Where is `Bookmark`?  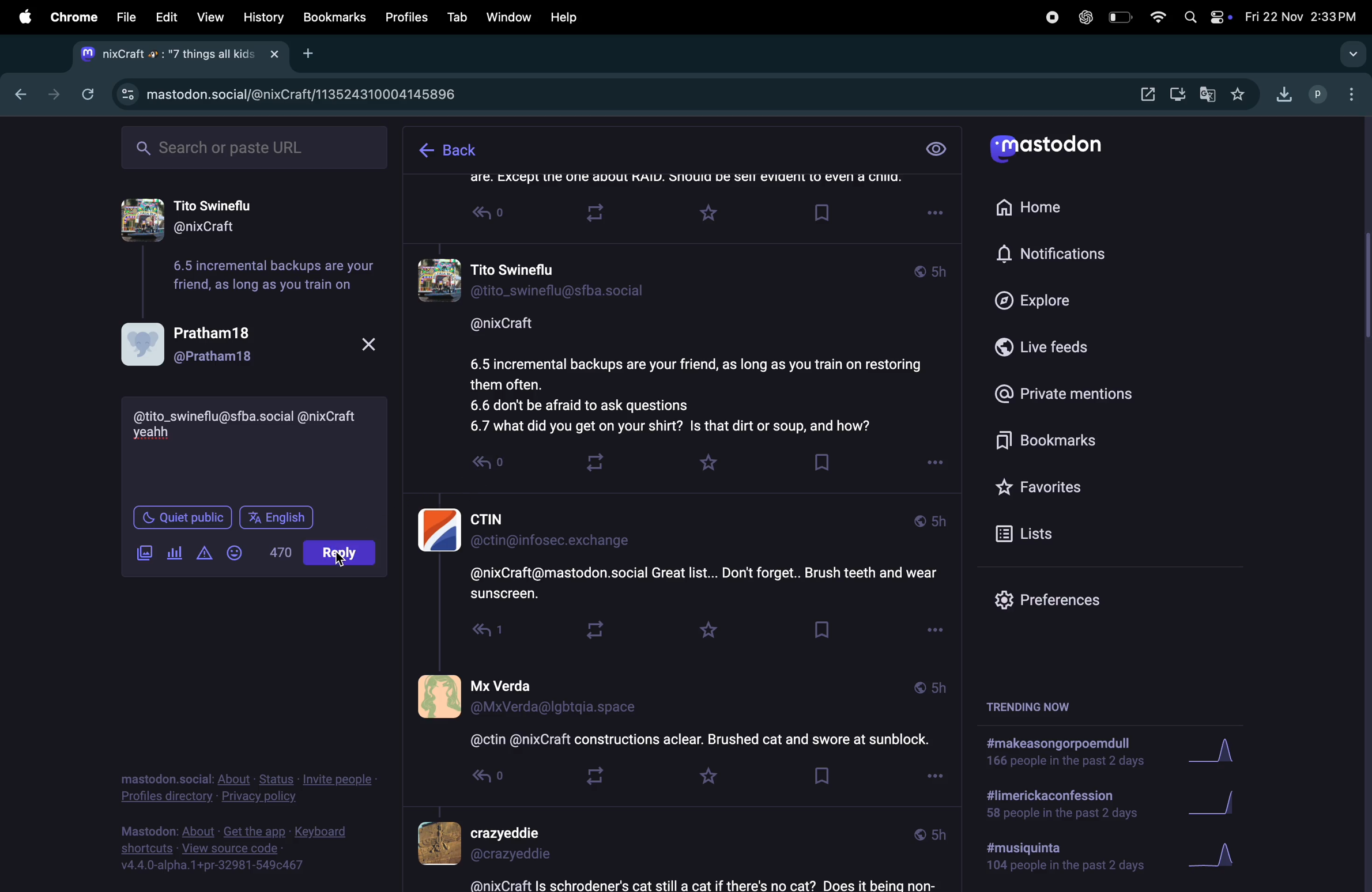
Bookmark is located at coordinates (826, 633).